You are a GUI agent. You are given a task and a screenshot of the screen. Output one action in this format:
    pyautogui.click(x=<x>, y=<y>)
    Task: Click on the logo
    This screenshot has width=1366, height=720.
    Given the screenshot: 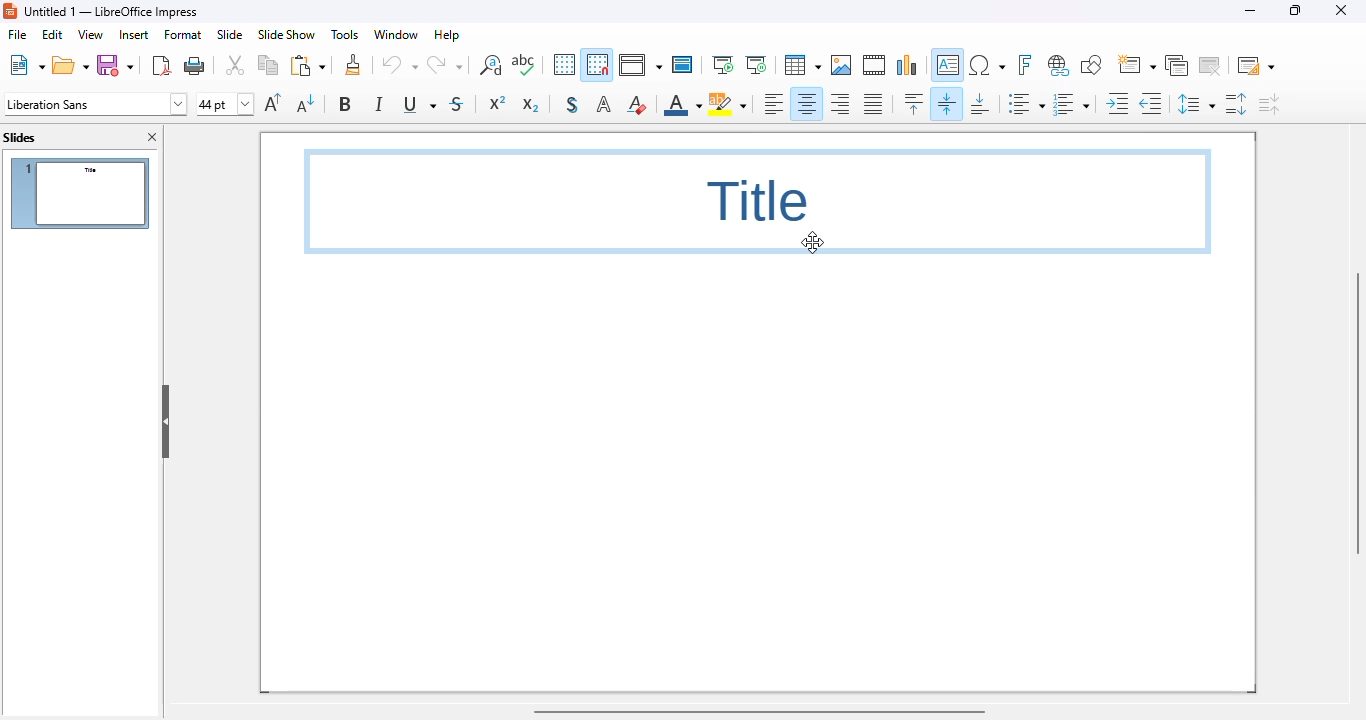 What is the action you would take?
    pyautogui.click(x=11, y=11)
    